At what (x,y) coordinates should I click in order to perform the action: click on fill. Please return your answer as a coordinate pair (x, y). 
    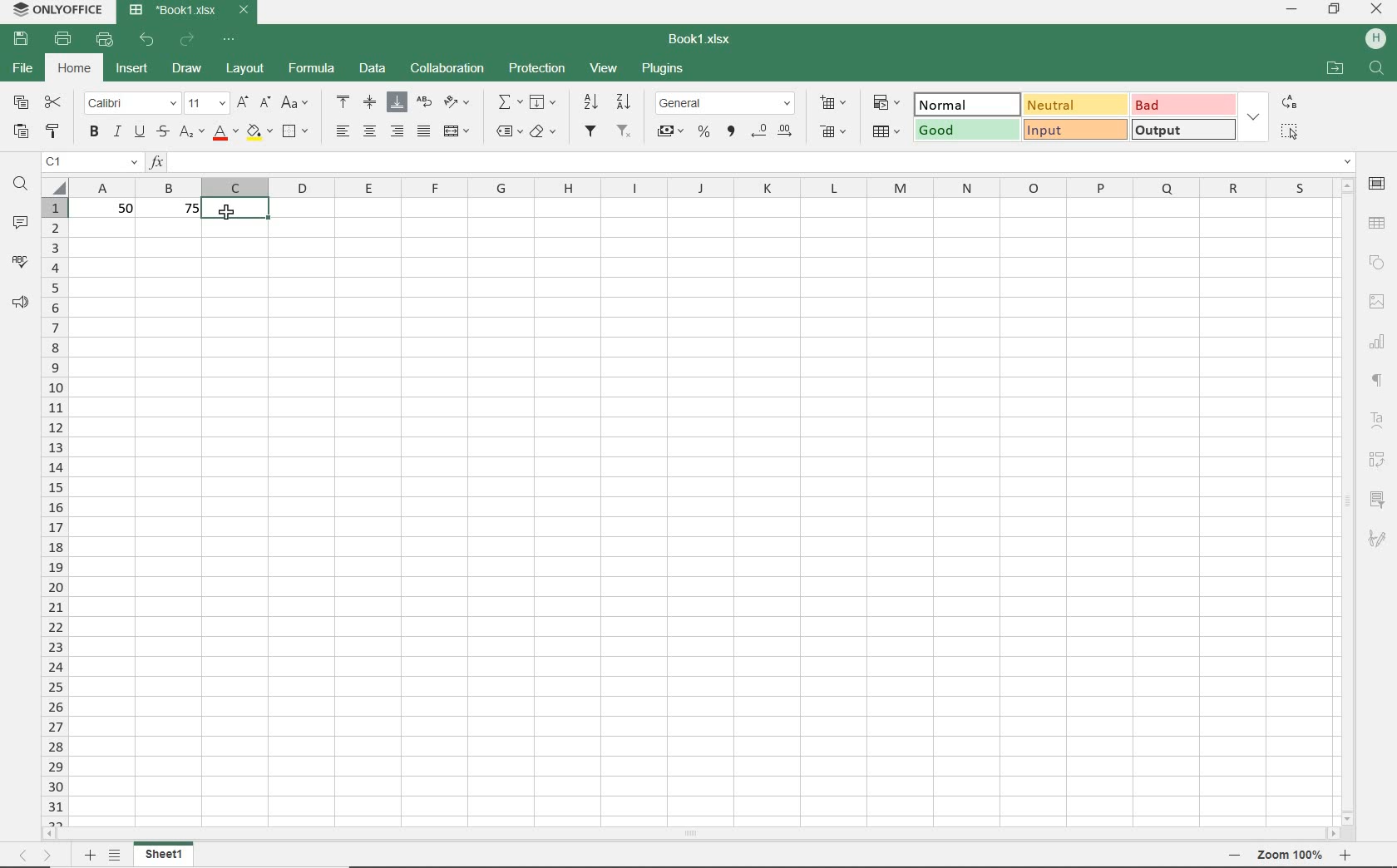
    Looking at the image, I should click on (544, 103).